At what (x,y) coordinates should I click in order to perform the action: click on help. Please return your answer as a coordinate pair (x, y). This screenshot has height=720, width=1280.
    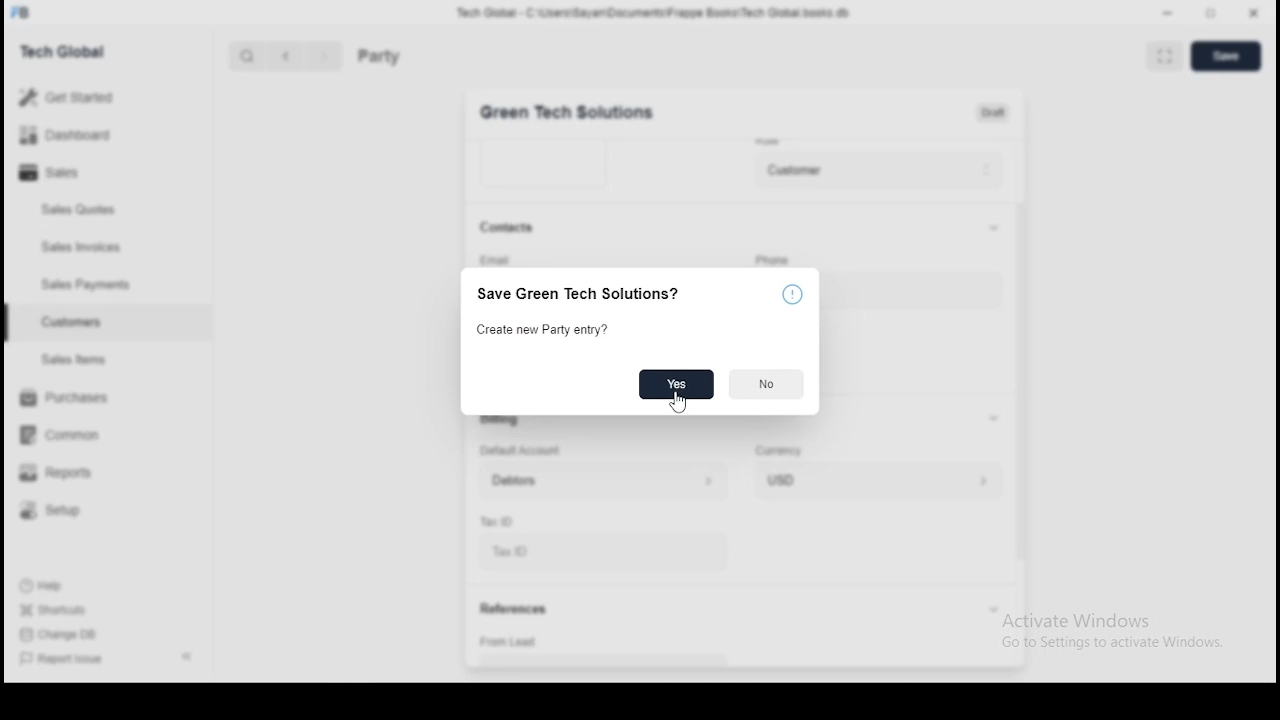
    Looking at the image, I should click on (798, 296).